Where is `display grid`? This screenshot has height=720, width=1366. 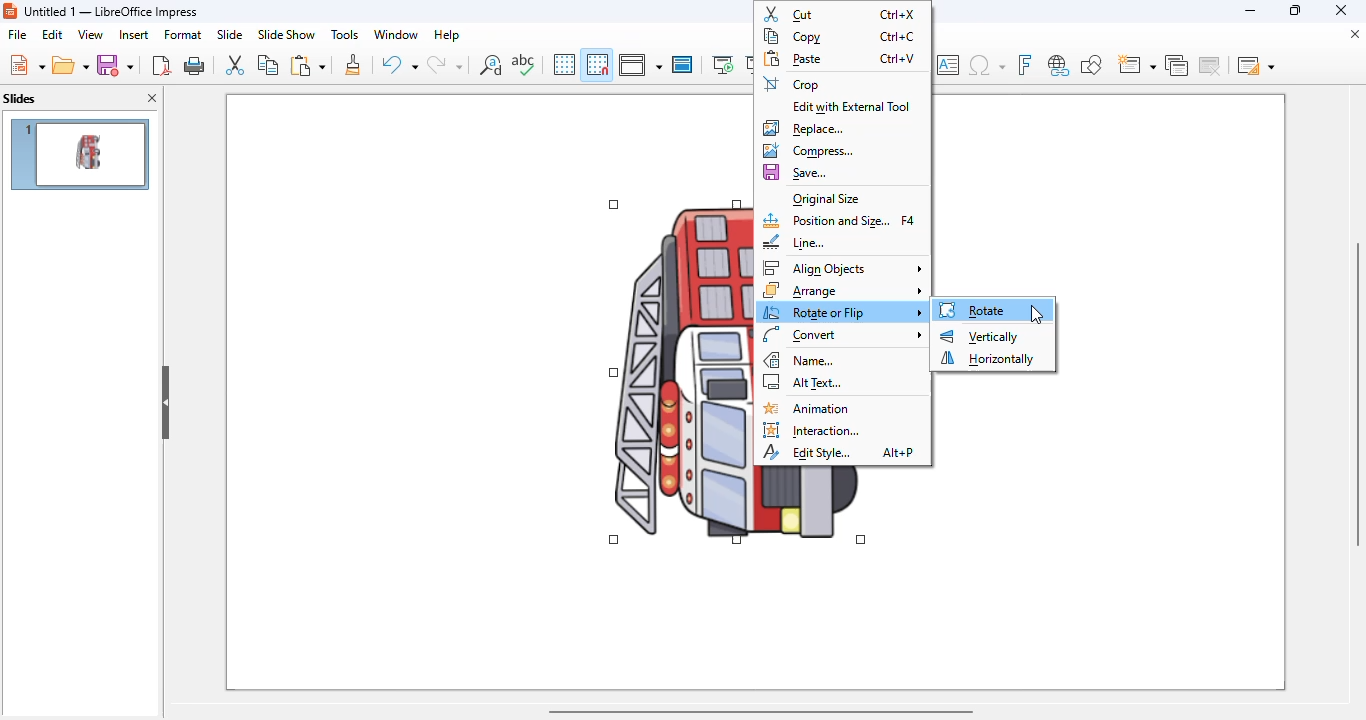 display grid is located at coordinates (564, 65).